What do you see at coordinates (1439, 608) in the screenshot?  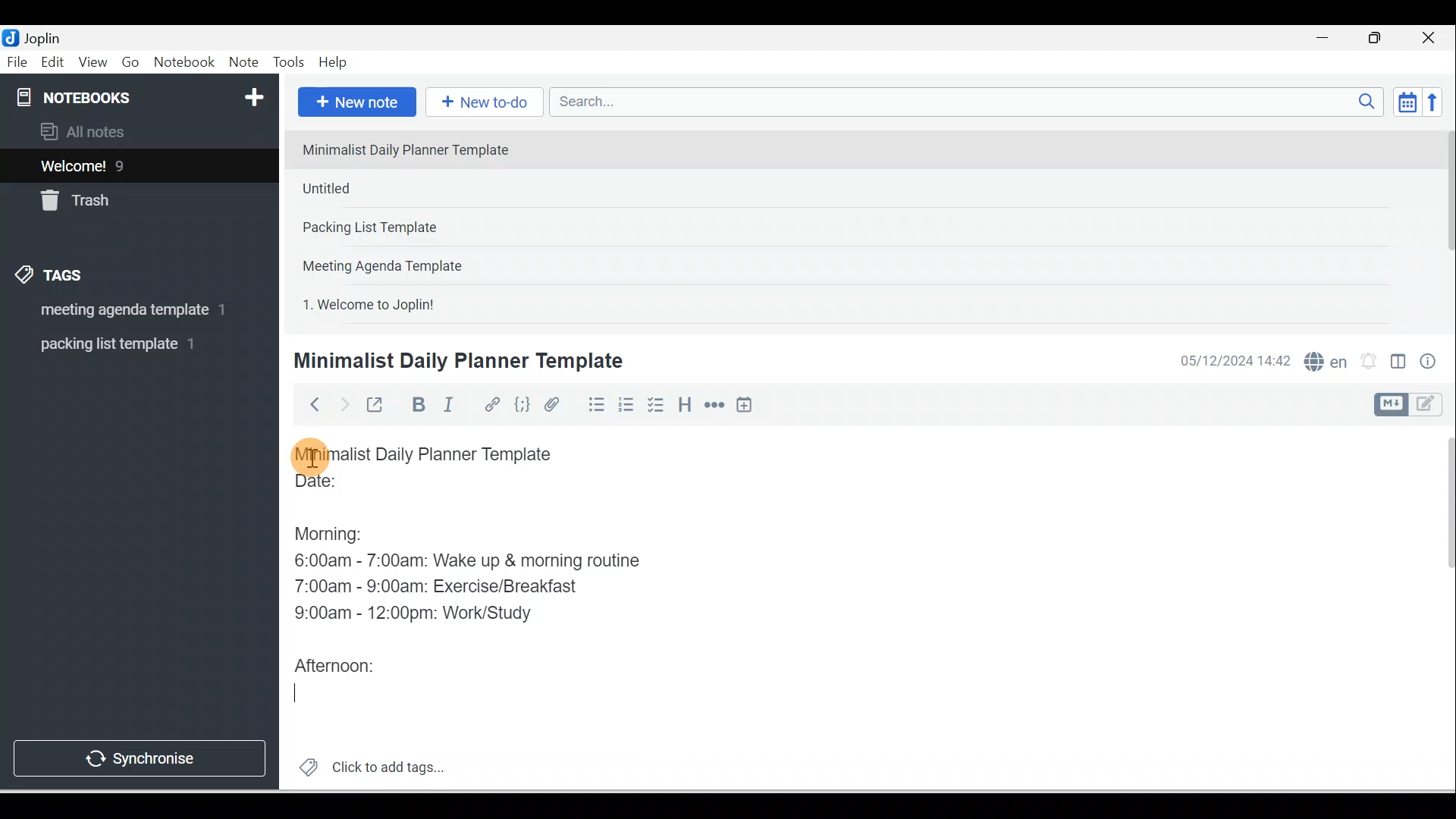 I see `Scroll bar` at bounding box center [1439, 608].